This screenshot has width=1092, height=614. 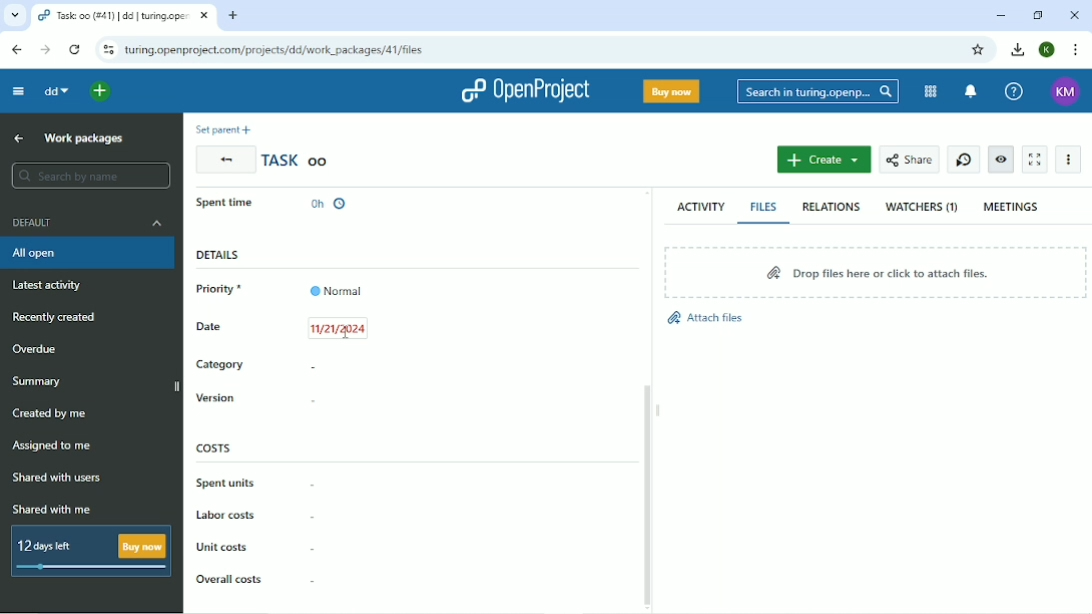 What do you see at coordinates (279, 289) in the screenshot?
I see `Priority` at bounding box center [279, 289].